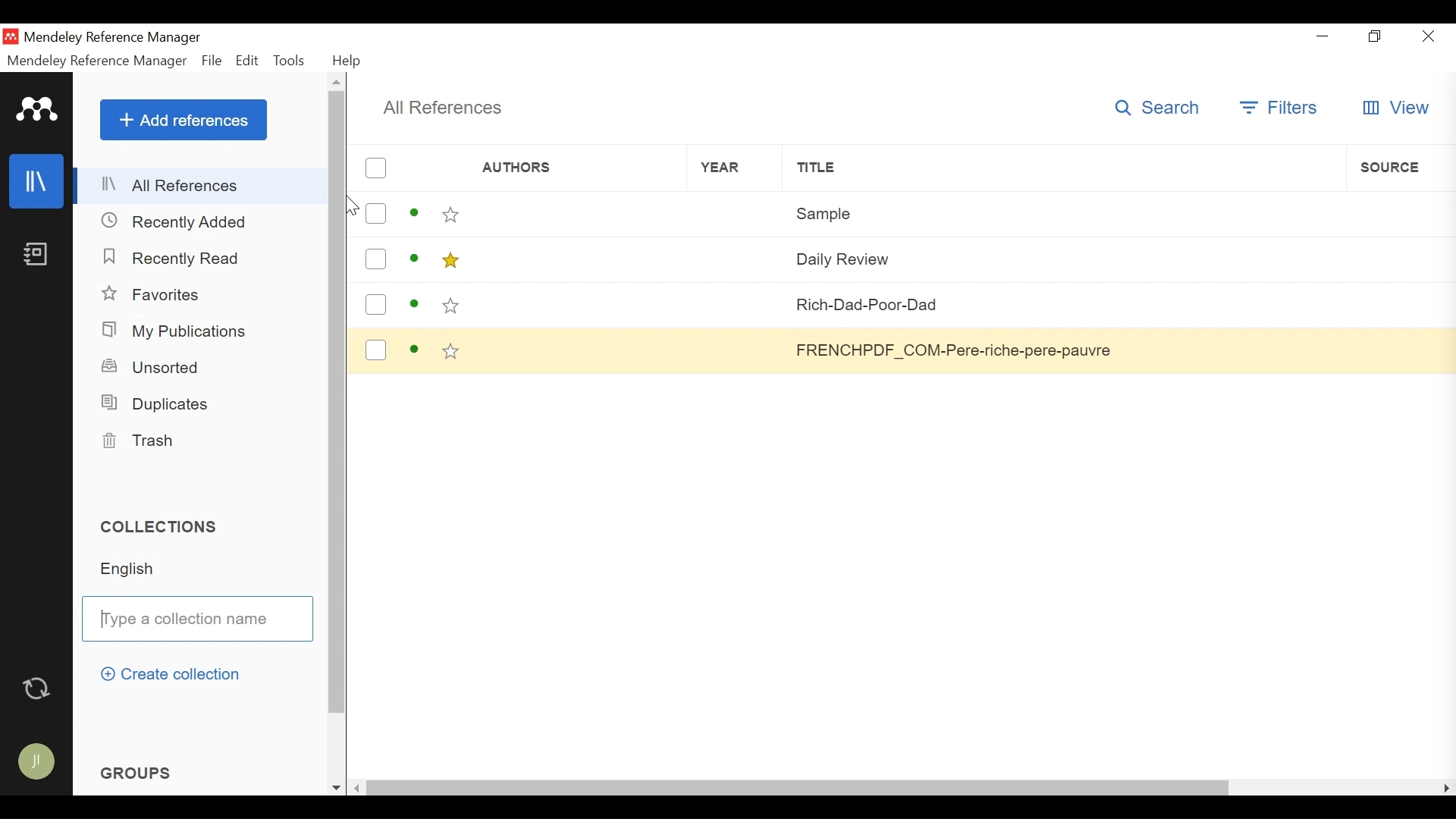 The image size is (1456, 819). Describe the element at coordinates (1064, 212) in the screenshot. I see `Sample` at that location.